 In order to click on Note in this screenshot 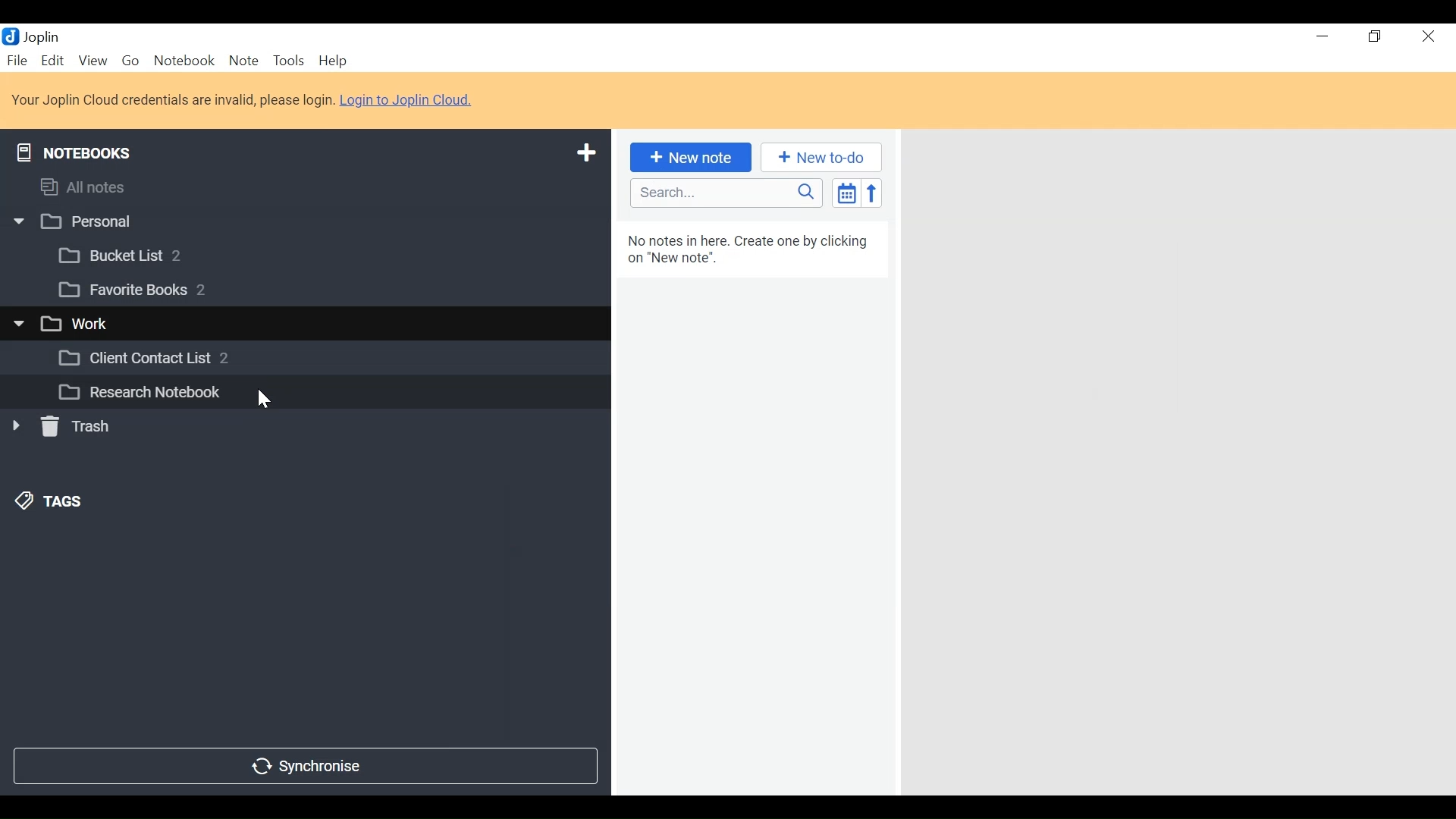, I will do `click(243, 60)`.